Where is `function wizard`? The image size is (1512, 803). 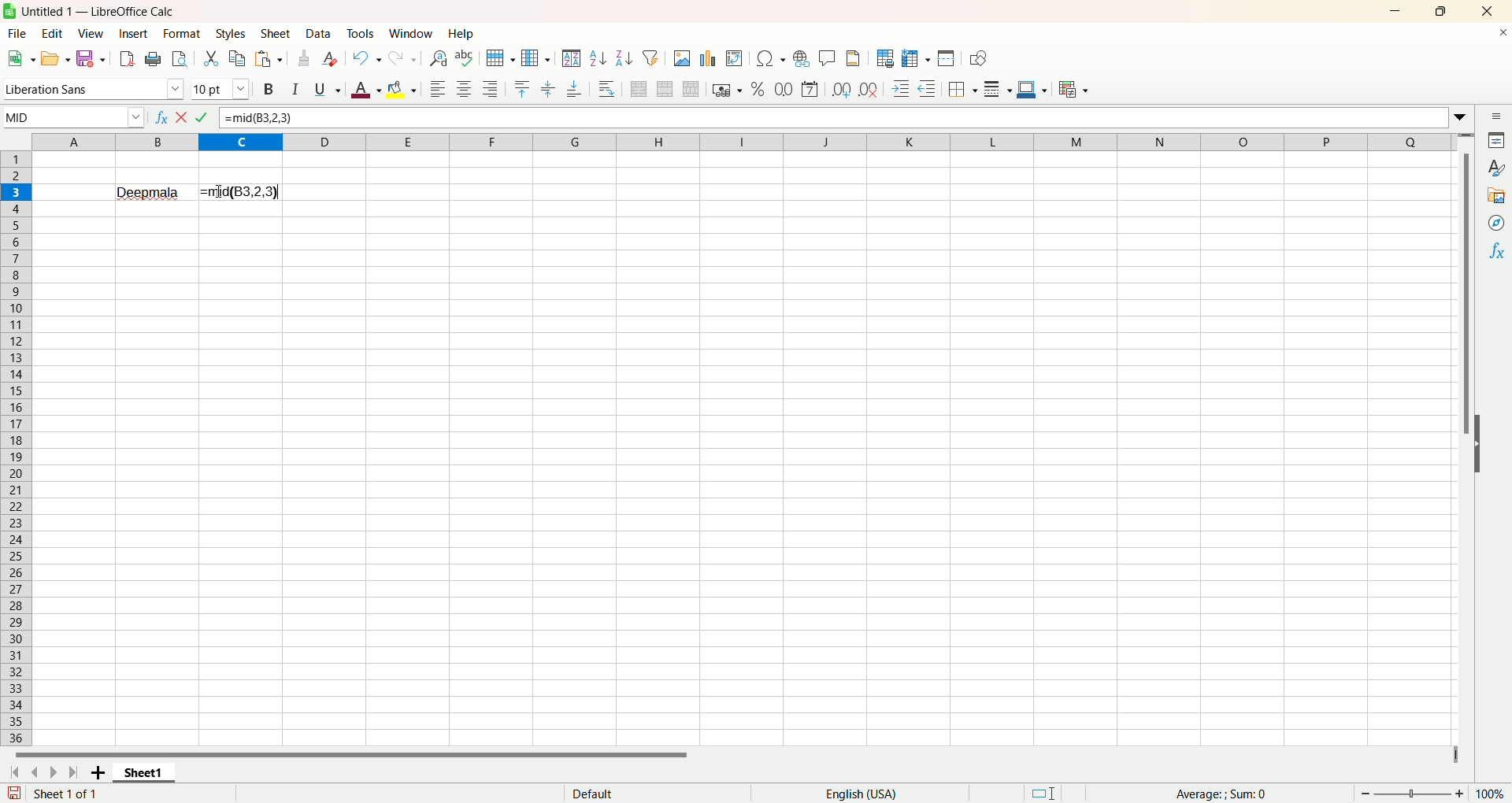
function wizard is located at coordinates (161, 117).